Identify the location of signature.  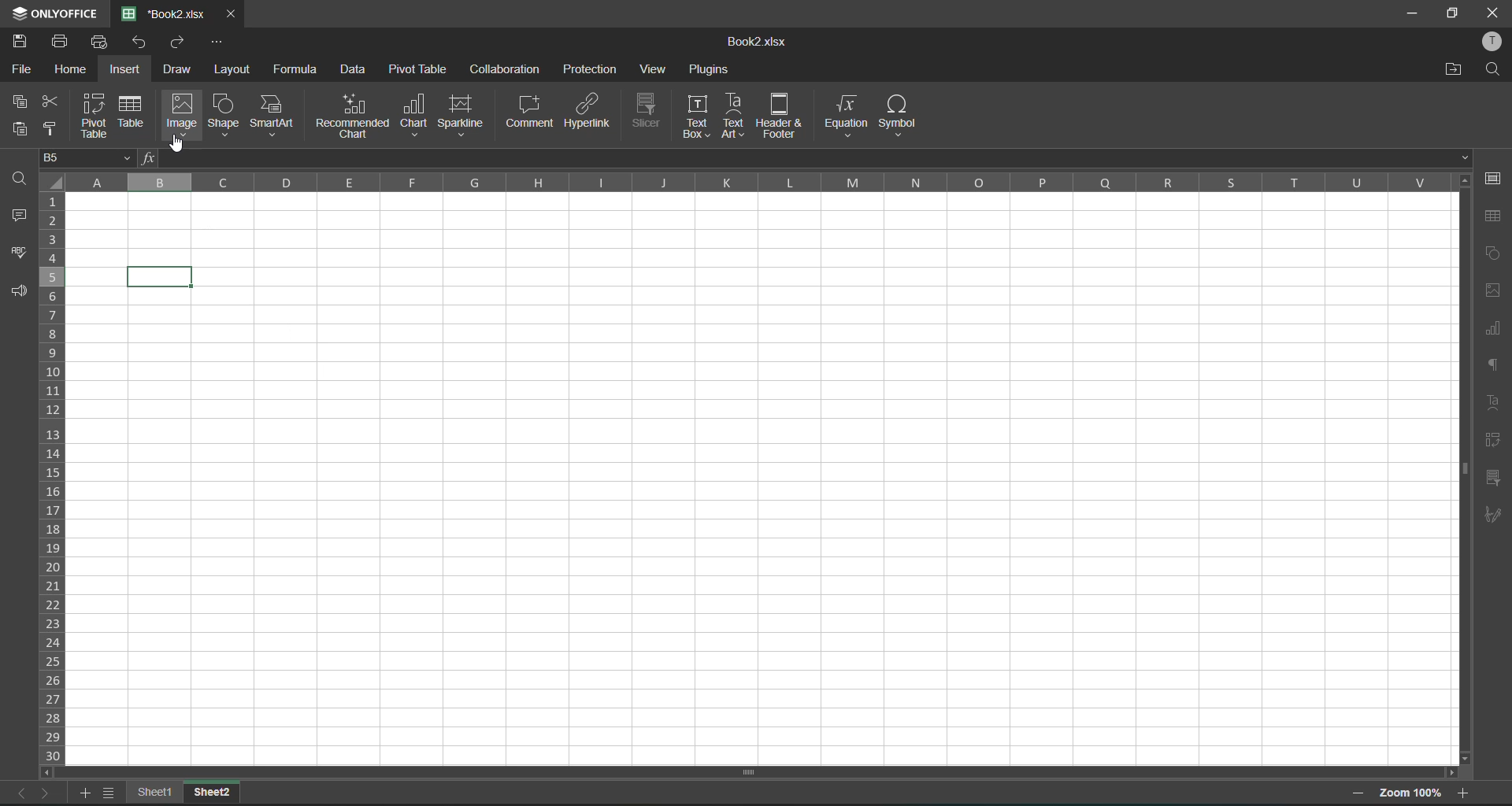
(1495, 514).